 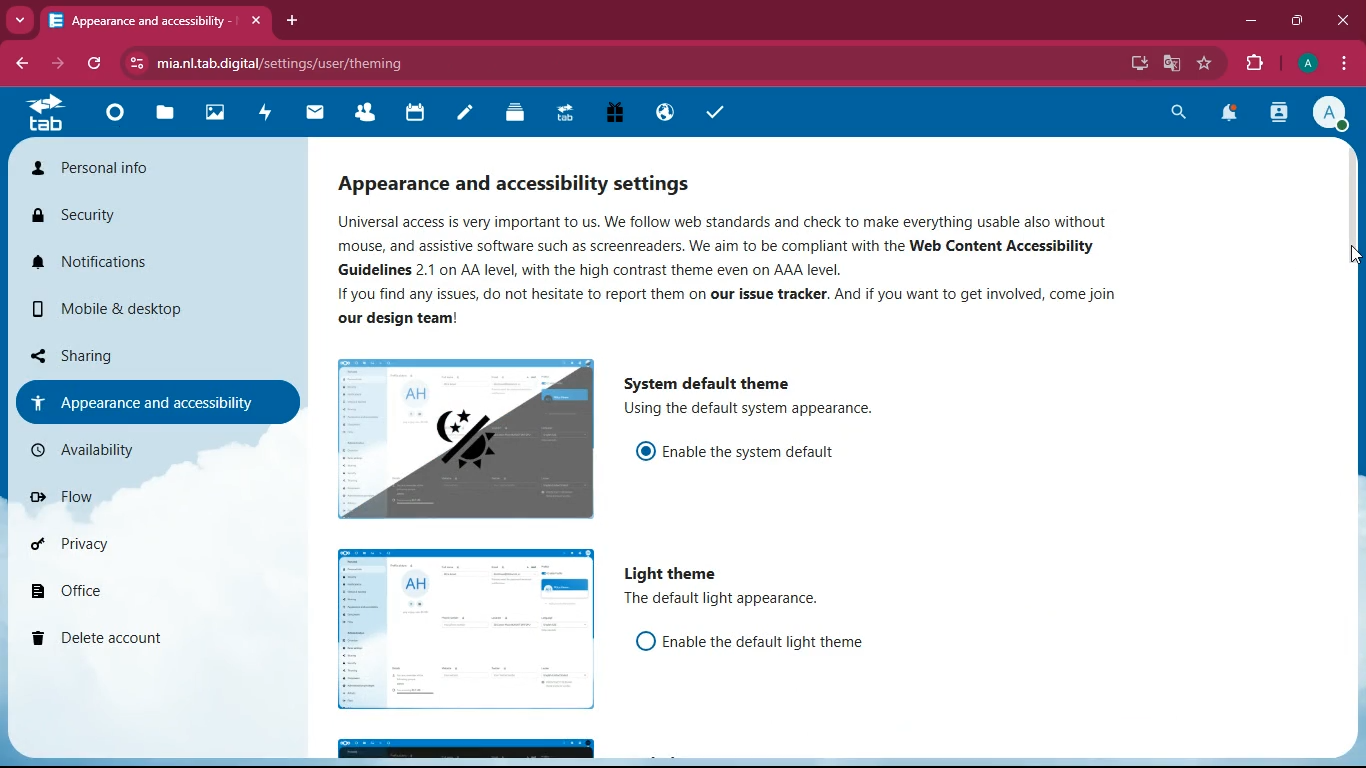 I want to click on scroll bar, so click(x=1347, y=205).